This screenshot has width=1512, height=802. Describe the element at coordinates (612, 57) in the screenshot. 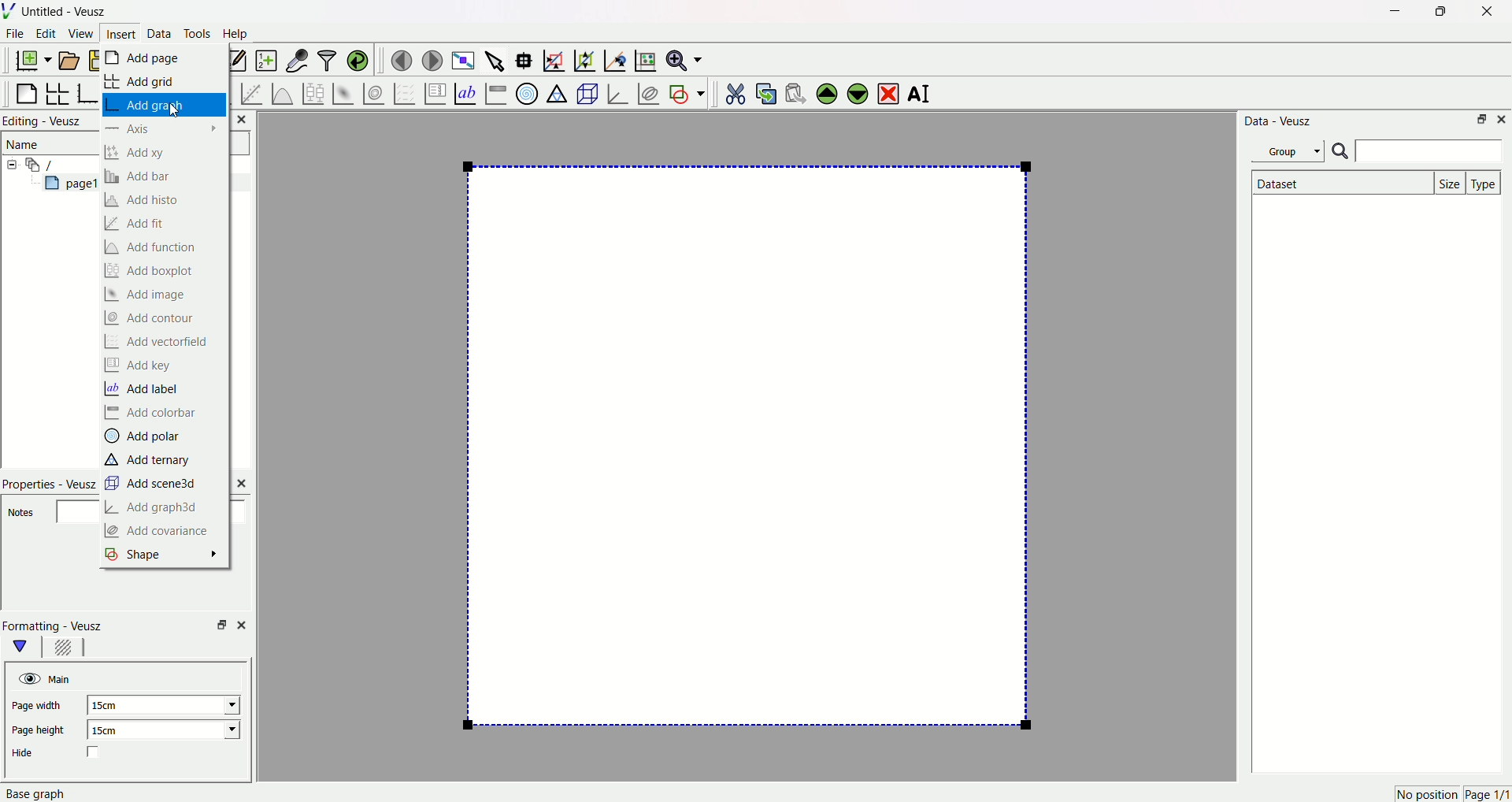

I see `recenter the graph axes` at that location.